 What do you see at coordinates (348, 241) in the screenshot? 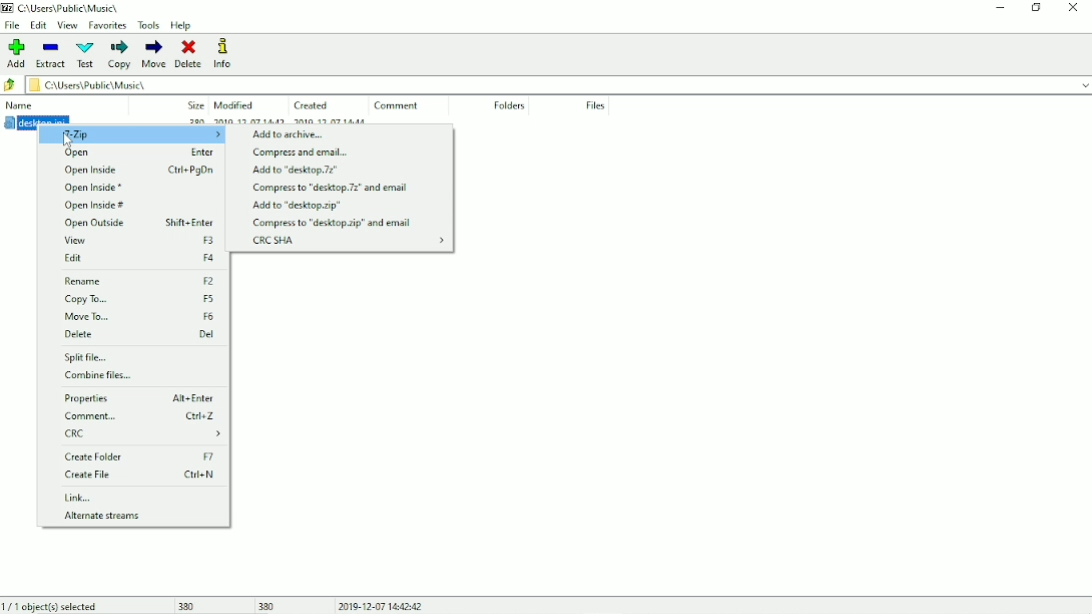
I see `CRC SHA` at bounding box center [348, 241].